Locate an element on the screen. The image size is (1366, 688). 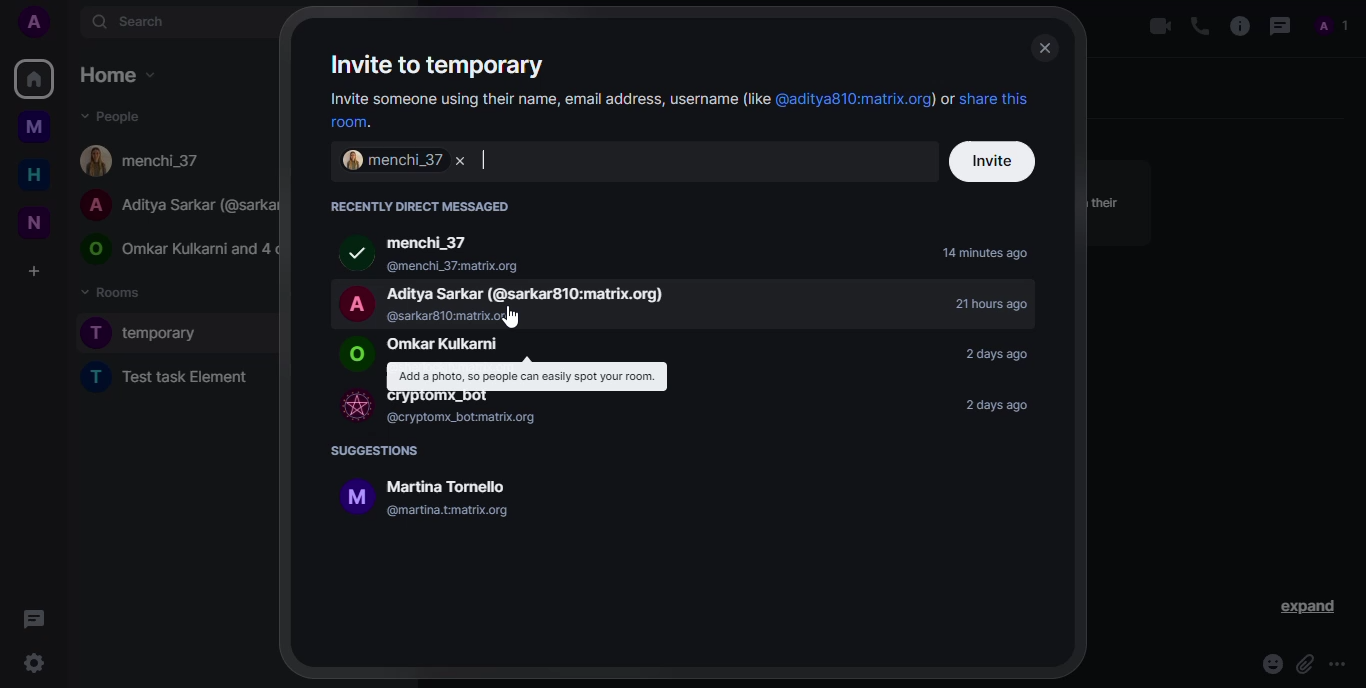
video call is located at coordinates (1150, 27).